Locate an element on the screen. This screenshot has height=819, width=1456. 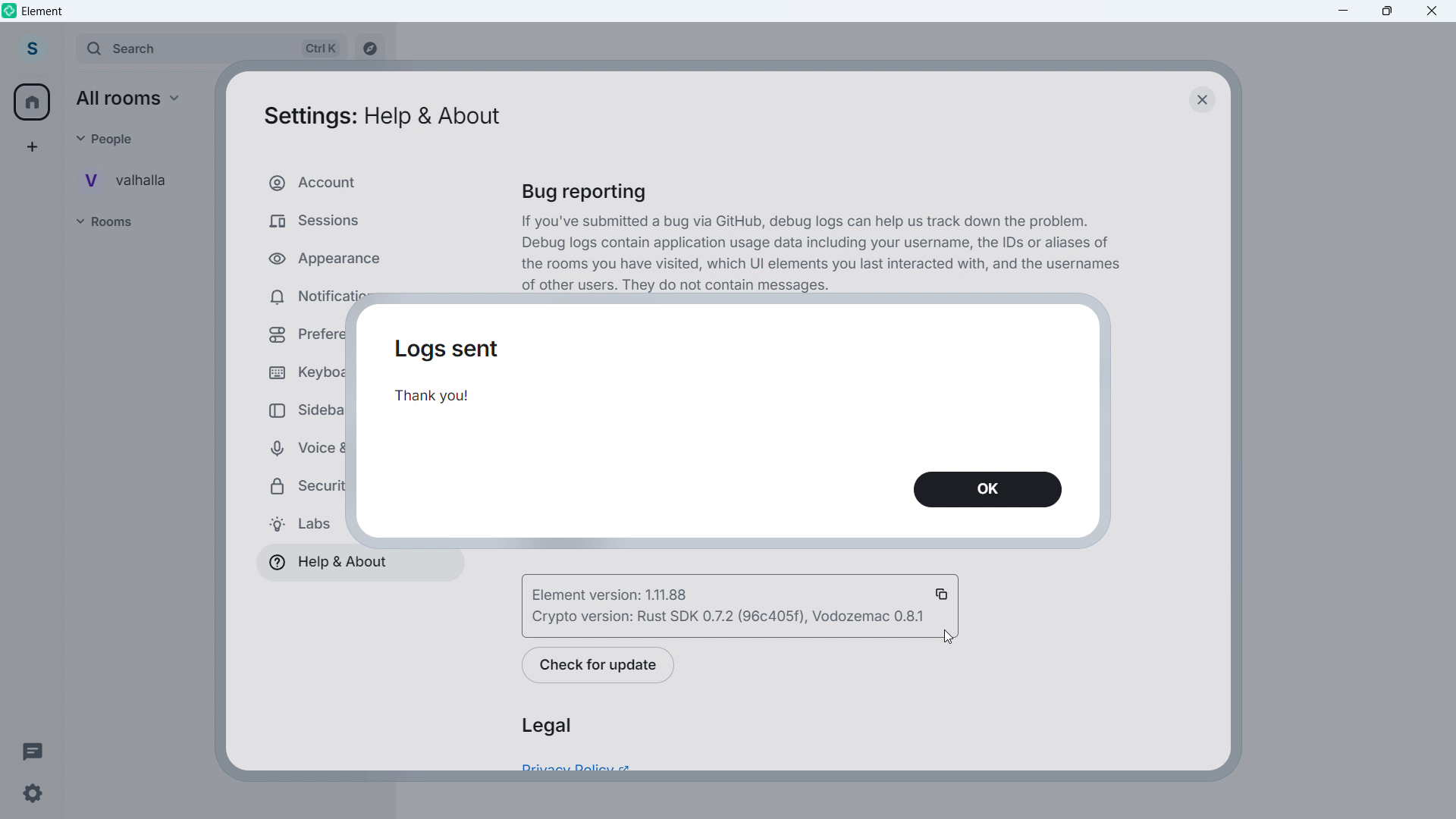
Bug reporting  is located at coordinates (589, 193).